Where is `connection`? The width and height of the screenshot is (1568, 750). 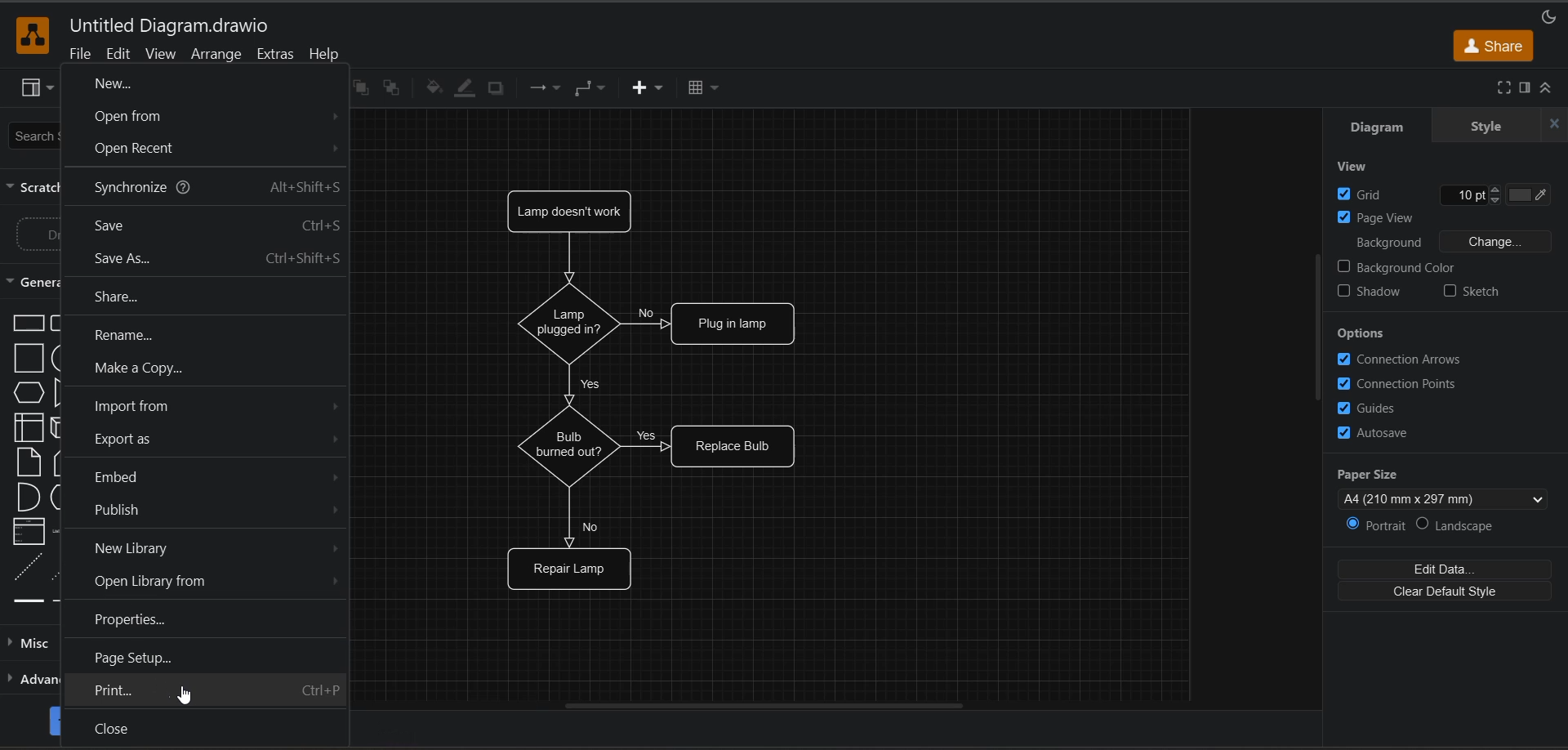
connection is located at coordinates (547, 90).